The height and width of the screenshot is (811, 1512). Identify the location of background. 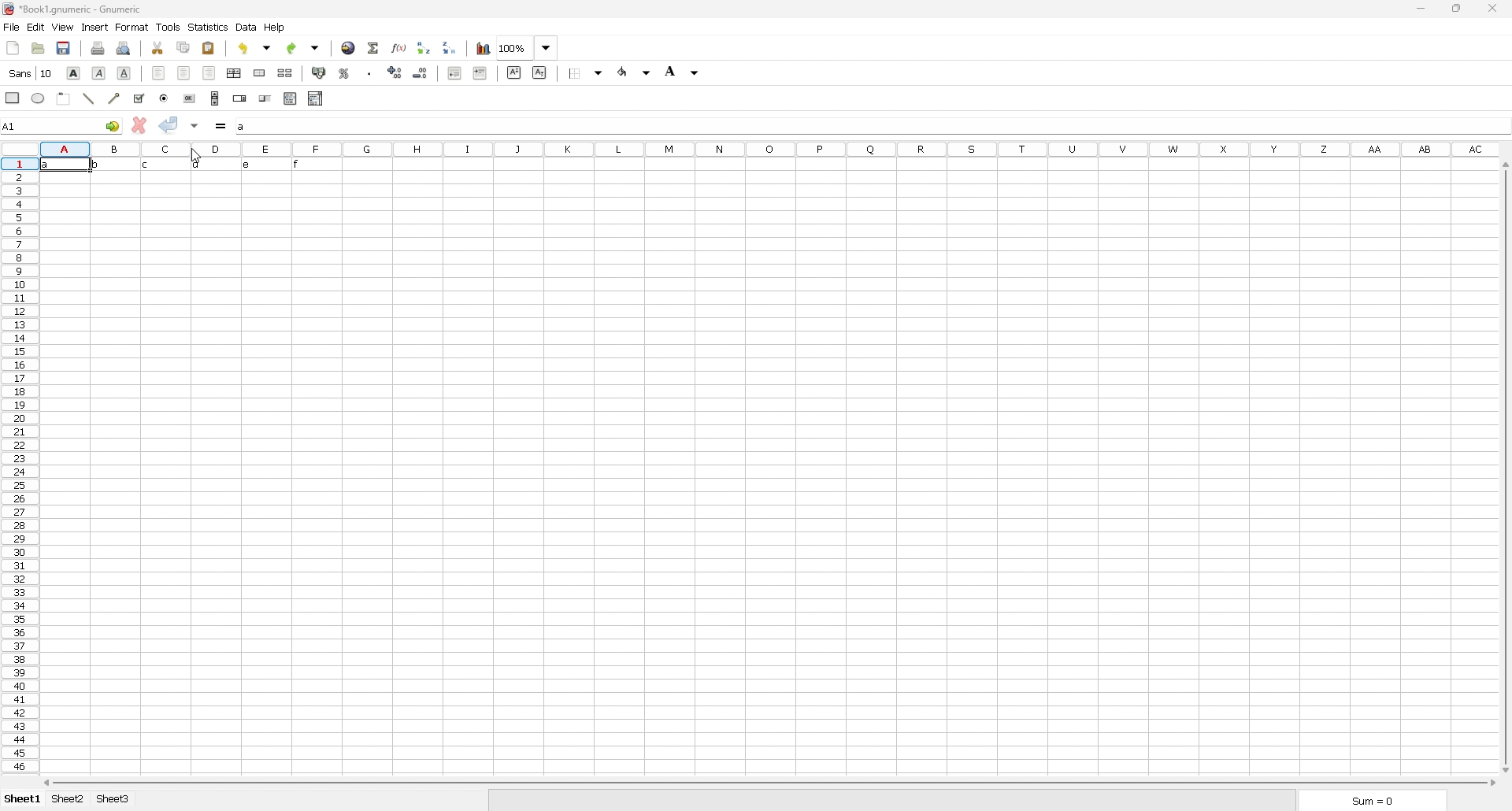
(684, 71).